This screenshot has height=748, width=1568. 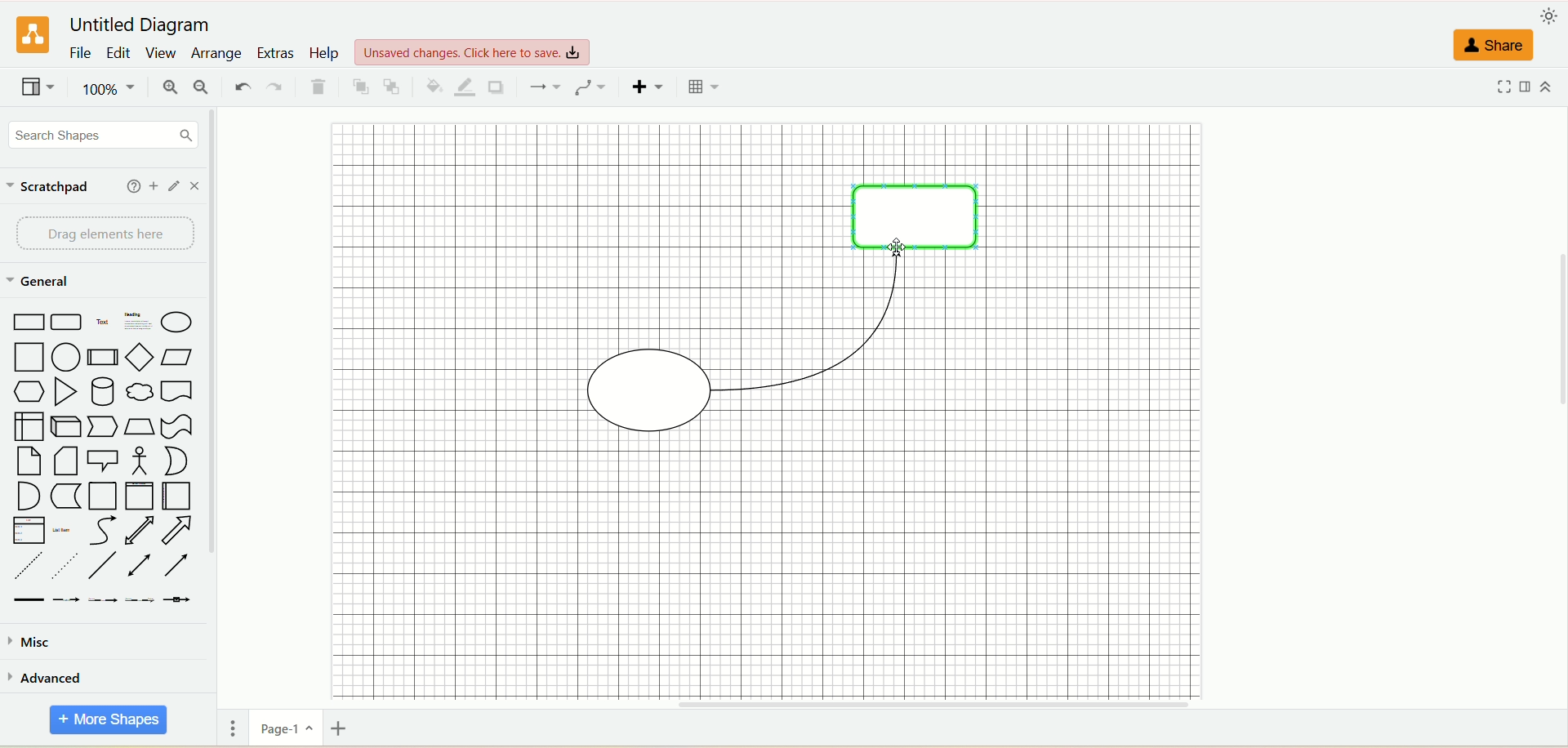 I want to click on fill color, so click(x=429, y=87).